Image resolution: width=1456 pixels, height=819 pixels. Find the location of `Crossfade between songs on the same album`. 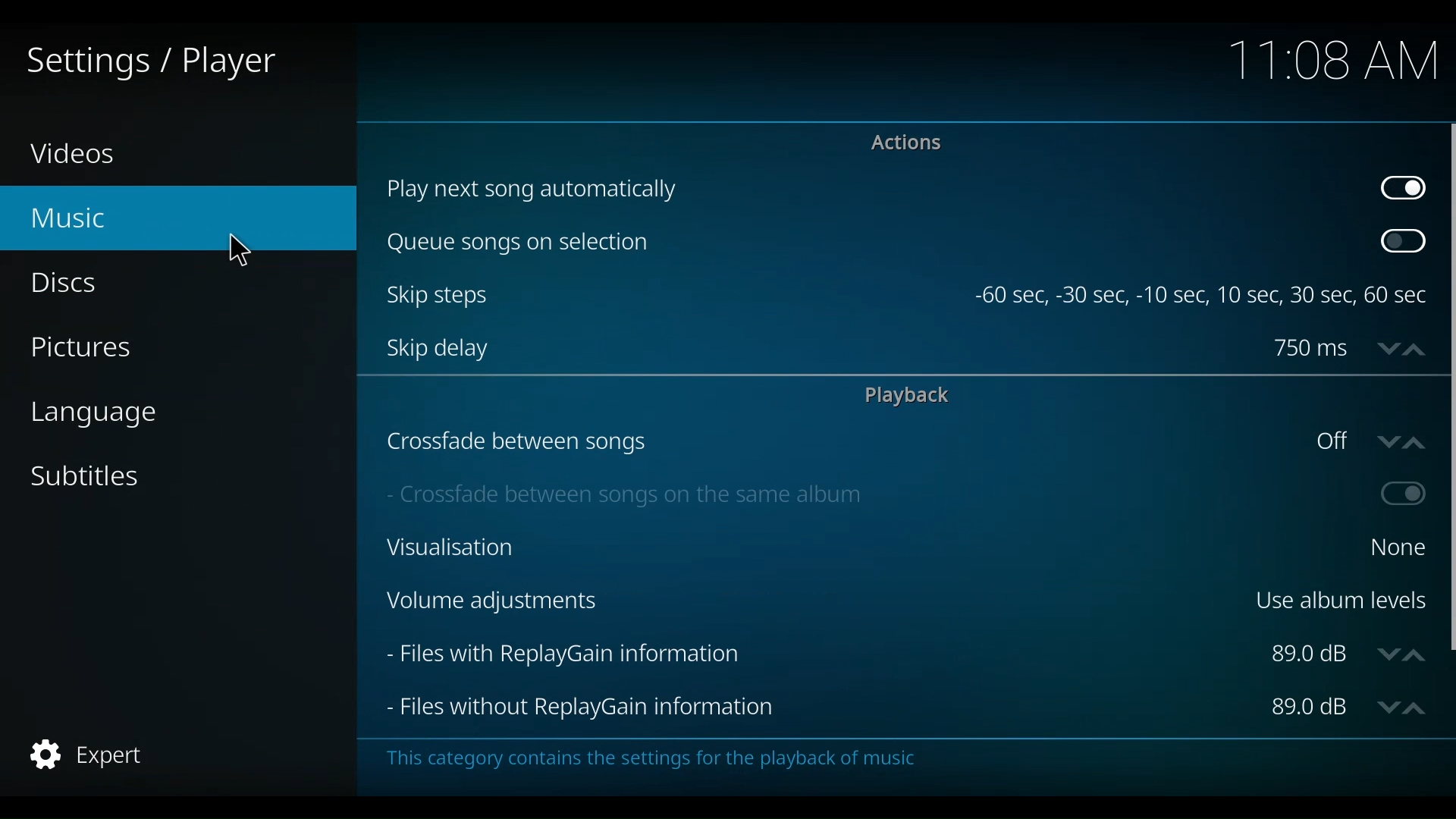

Crossfade between songs on the same album is located at coordinates (849, 492).